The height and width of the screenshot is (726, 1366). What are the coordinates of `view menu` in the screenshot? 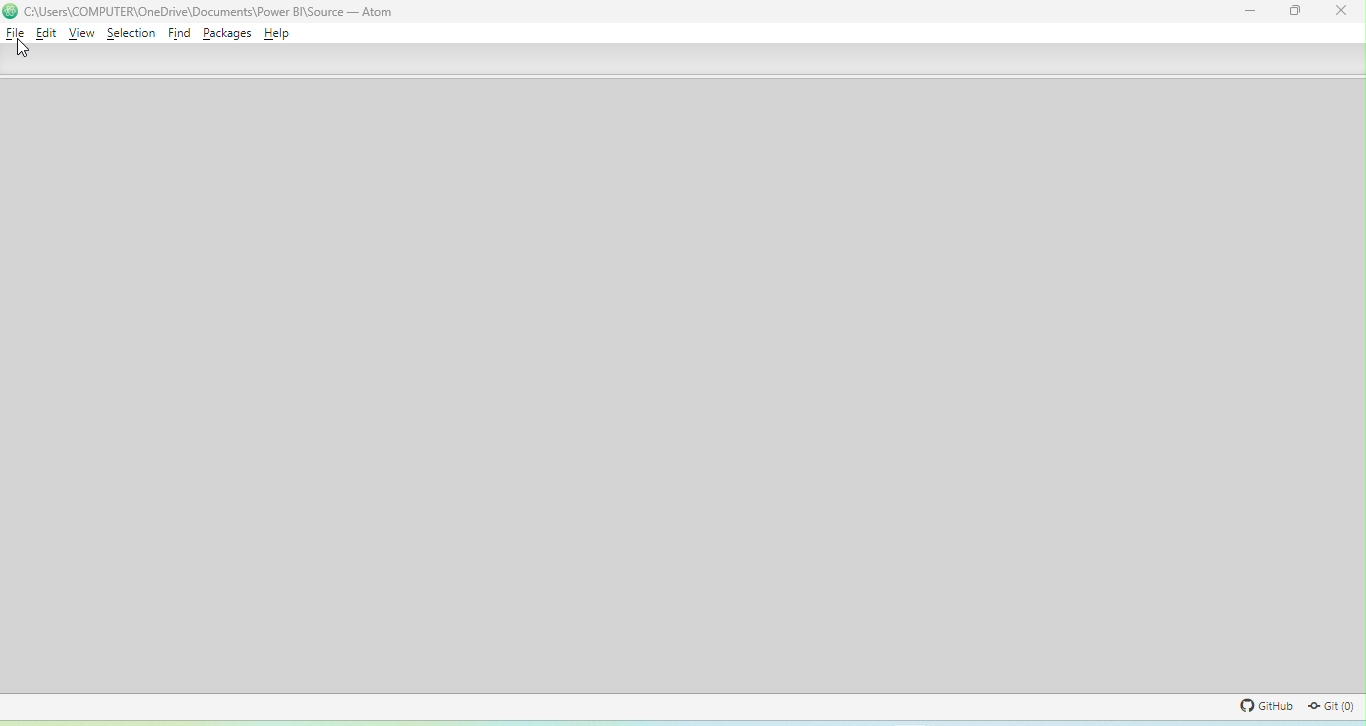 It's located at (82, 33).